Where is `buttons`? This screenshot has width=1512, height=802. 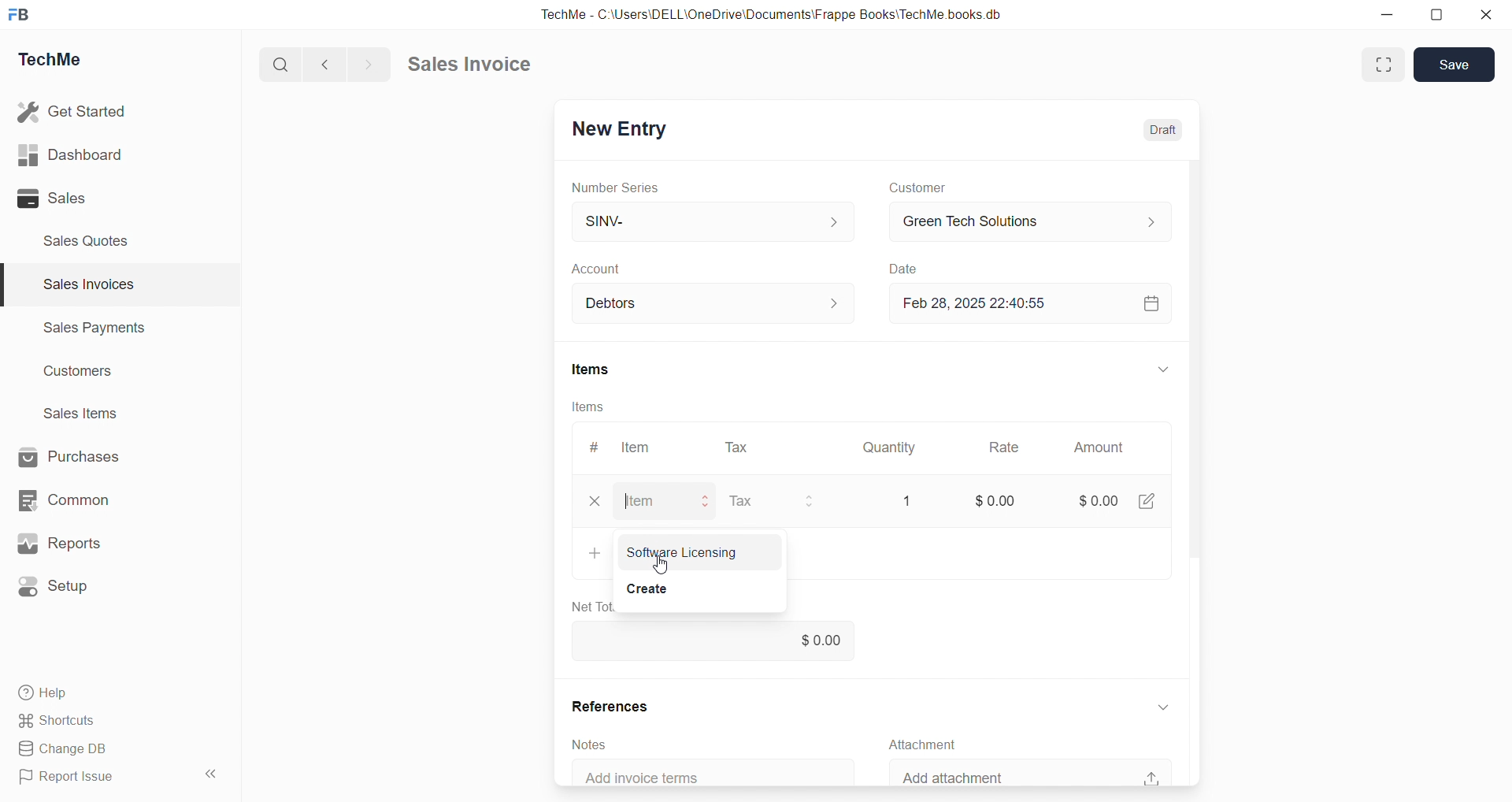 buttons is located at coordinates (808, 502).